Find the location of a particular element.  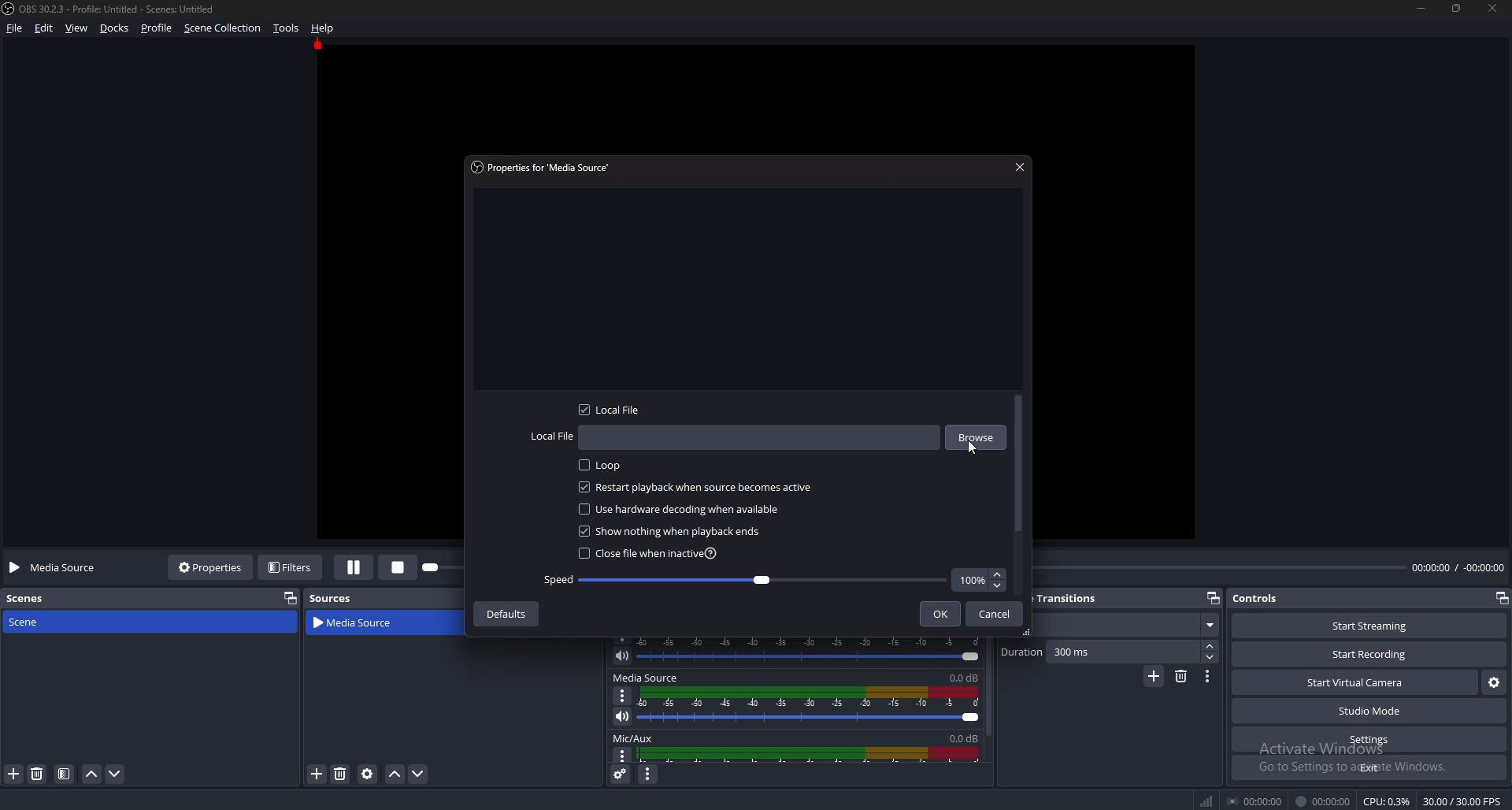

Resize is located at coordinates (1457, 7).